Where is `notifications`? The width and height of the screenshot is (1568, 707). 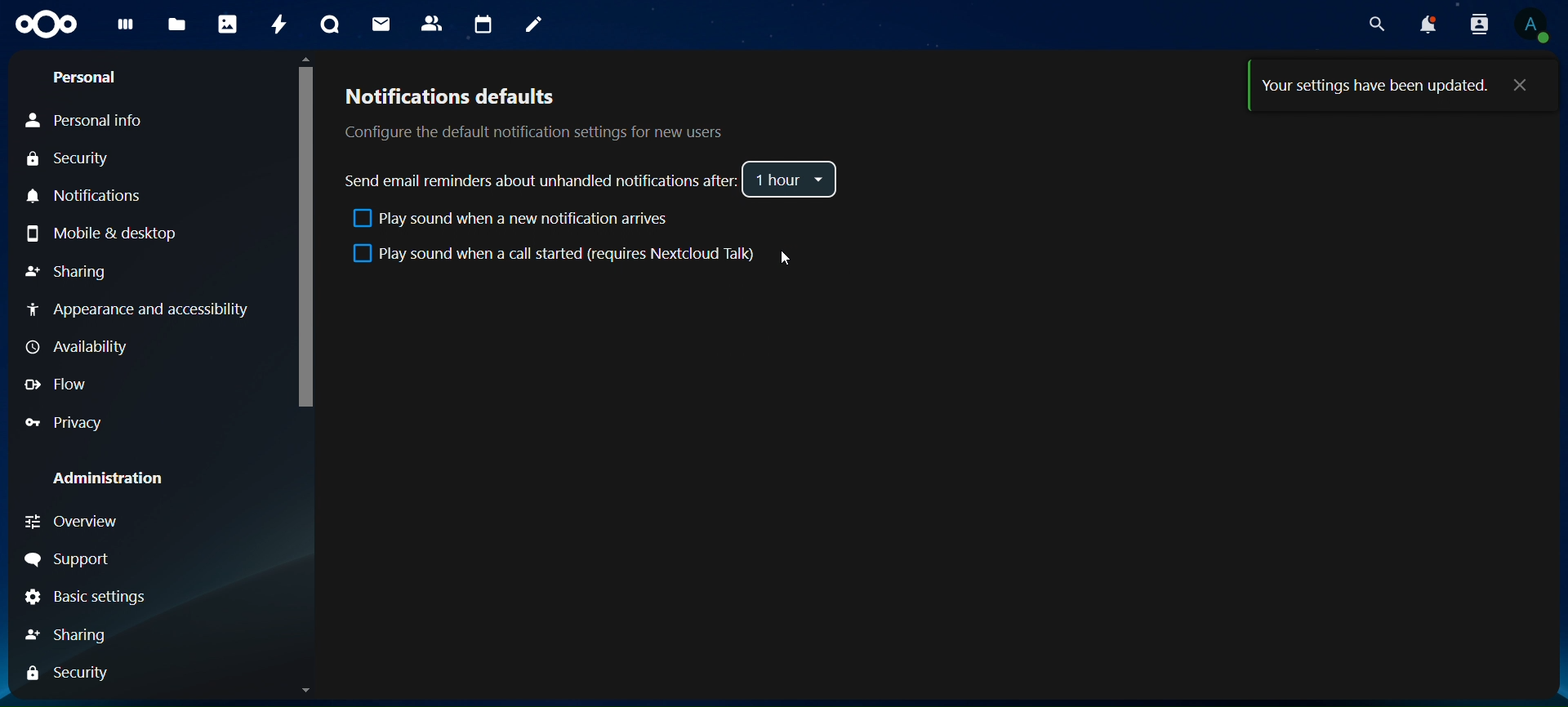 notifications is located at coordinates (1426, 24).